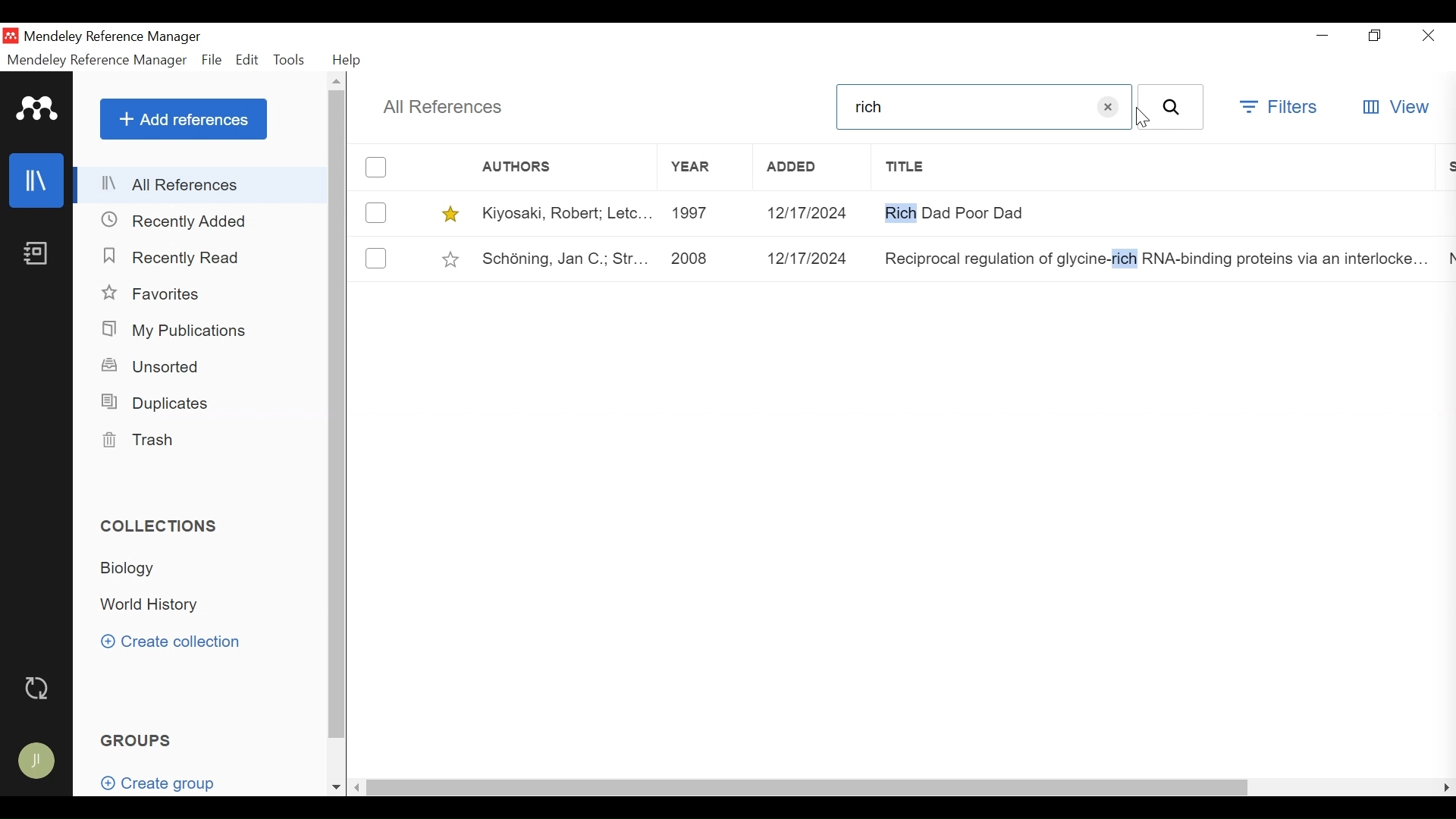 This screenshot has width=1456, height=819. What do you see at coordinates (174, 643) in the screenshot?
I see `Create Collections` at bounding box center [174, 643].